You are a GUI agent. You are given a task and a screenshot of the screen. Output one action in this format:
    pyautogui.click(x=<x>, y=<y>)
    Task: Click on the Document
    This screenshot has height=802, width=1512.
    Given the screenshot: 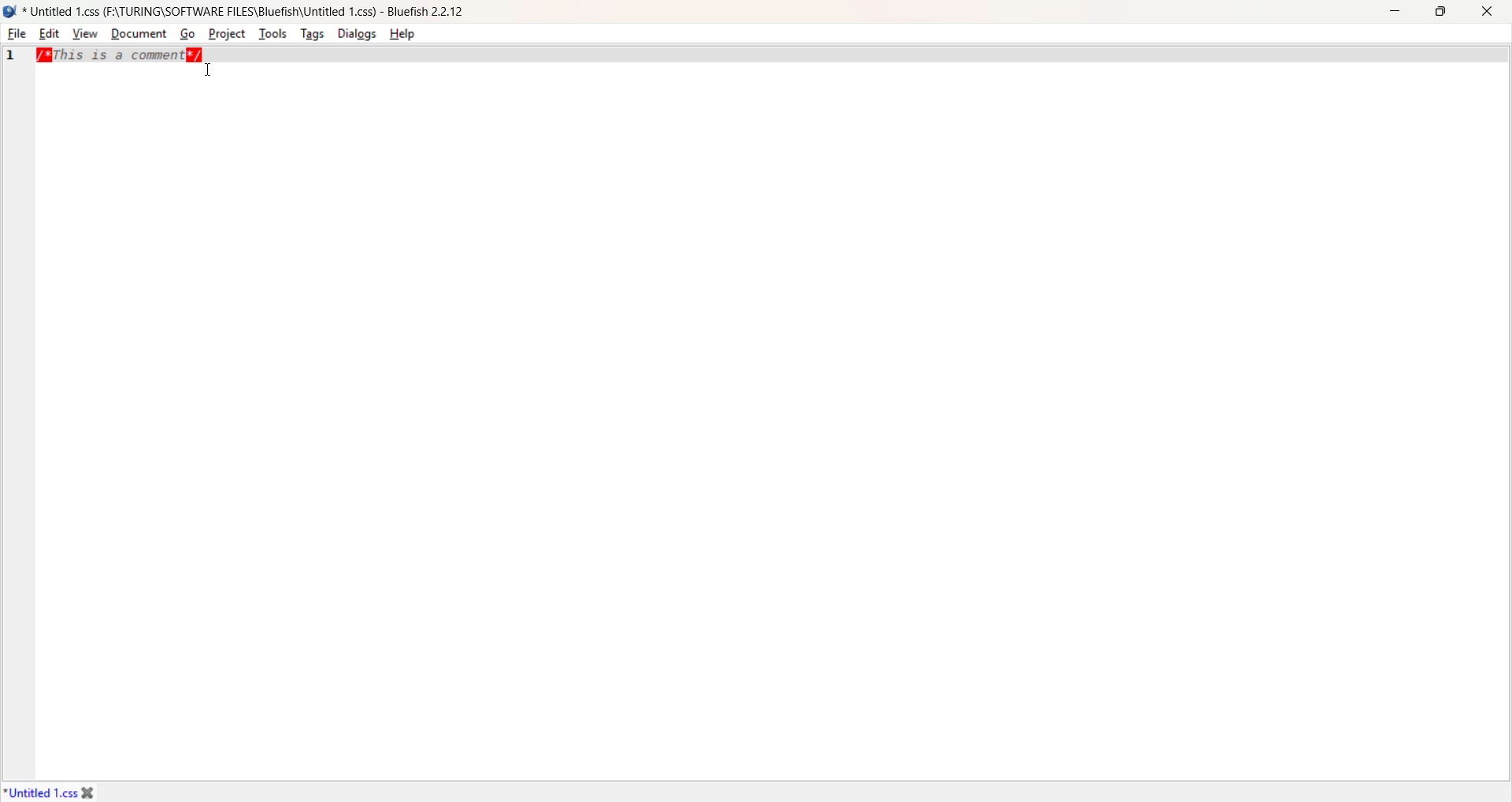 What is the action you would take?
    pyautogui.click(x=139, y=32)
    